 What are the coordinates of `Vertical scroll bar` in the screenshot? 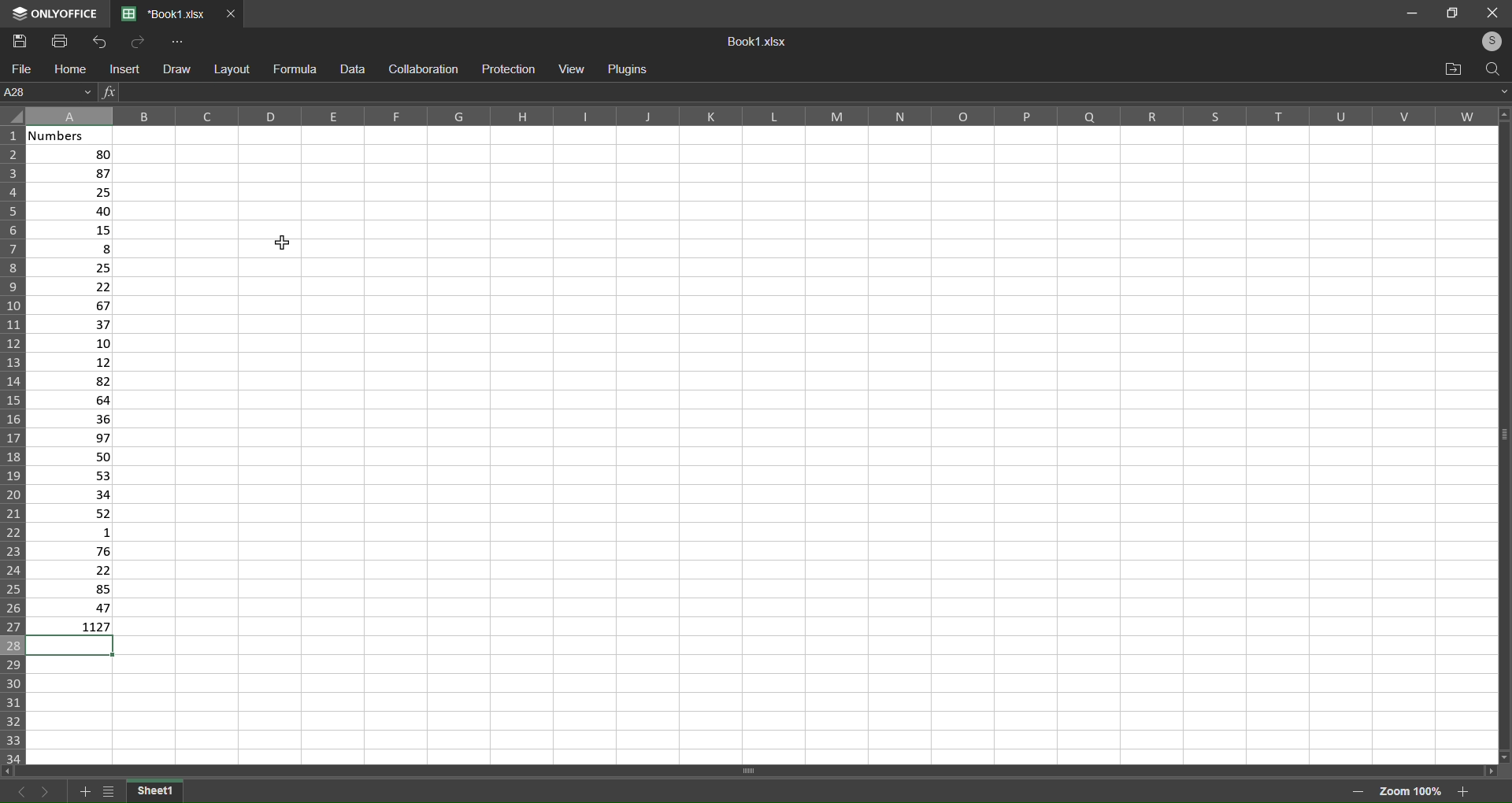 It's located at (1503, 436).